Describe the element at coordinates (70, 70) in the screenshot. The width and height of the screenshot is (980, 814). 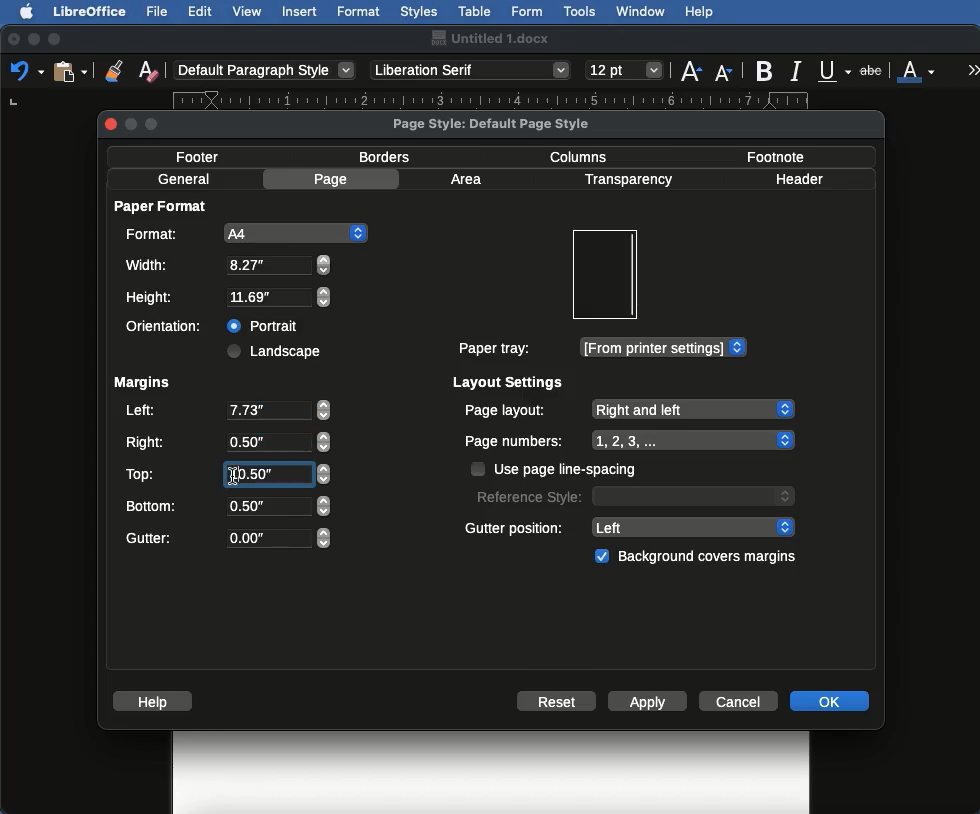
I see `Clipboard` at that location.